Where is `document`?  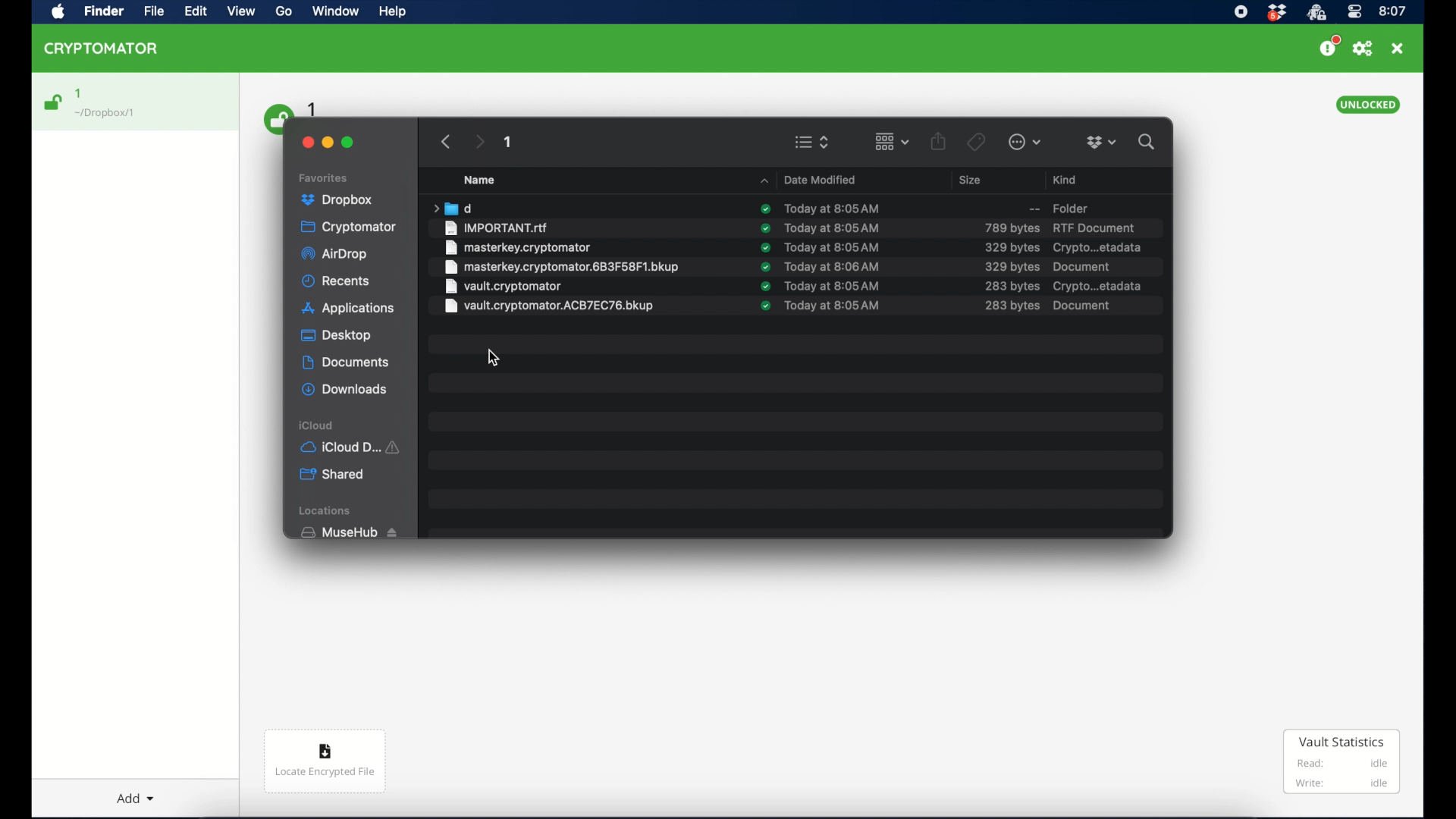 document is located at coordinates (1083, 266).